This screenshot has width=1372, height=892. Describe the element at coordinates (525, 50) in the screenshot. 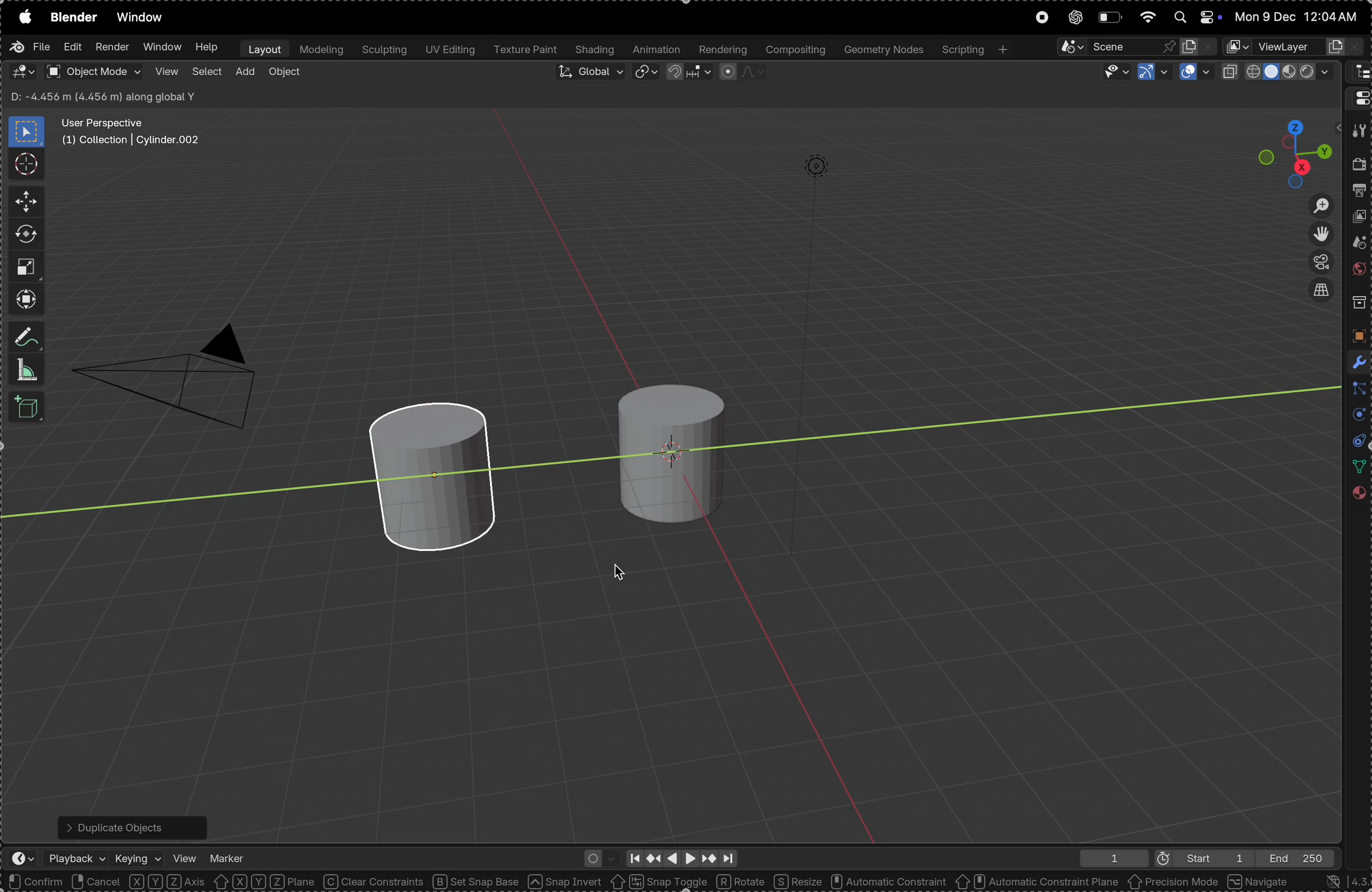

I see `texture paint` at that location.